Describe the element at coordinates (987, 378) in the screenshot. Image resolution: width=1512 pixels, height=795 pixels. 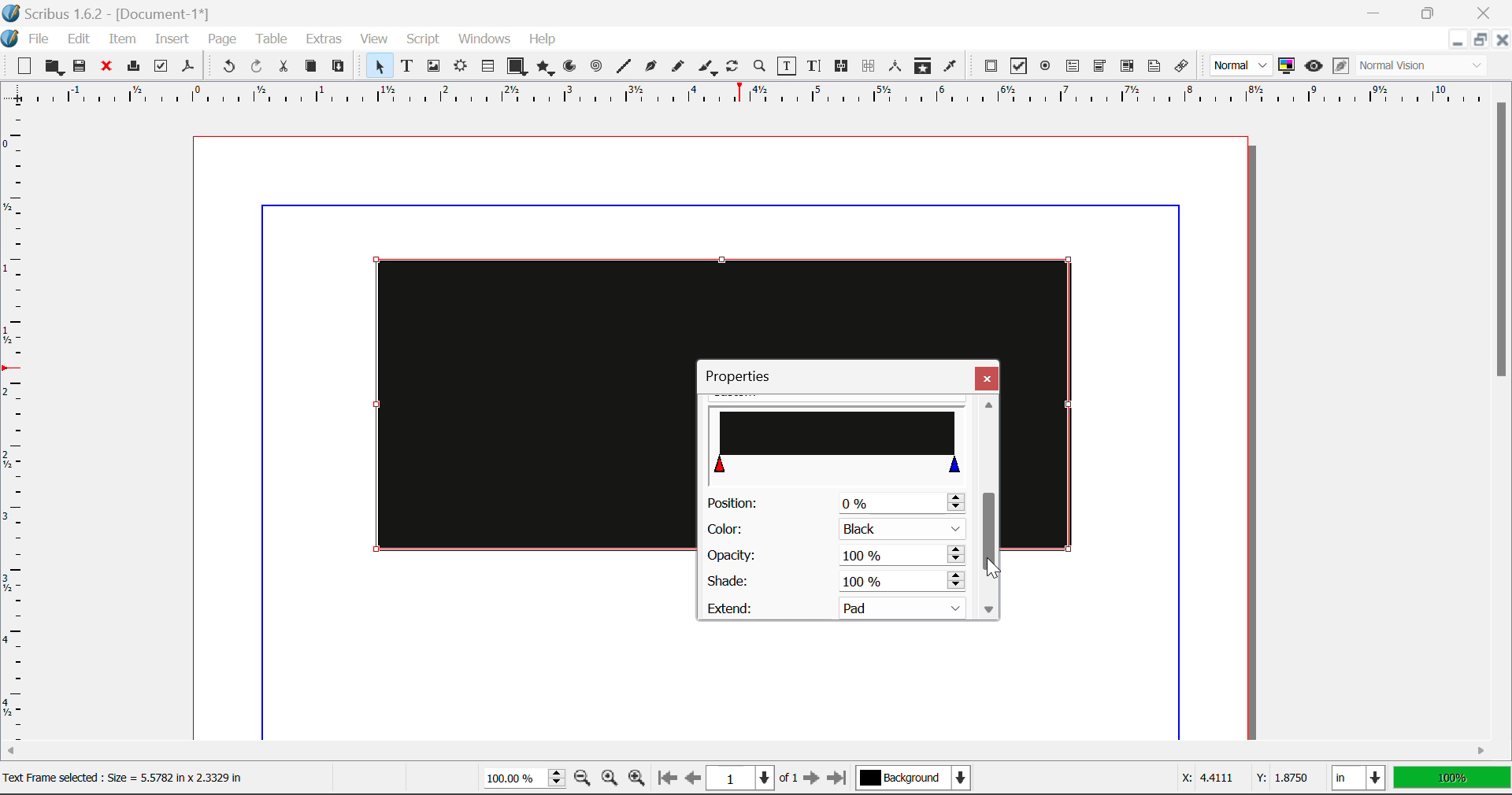
I see `Close` at that location.